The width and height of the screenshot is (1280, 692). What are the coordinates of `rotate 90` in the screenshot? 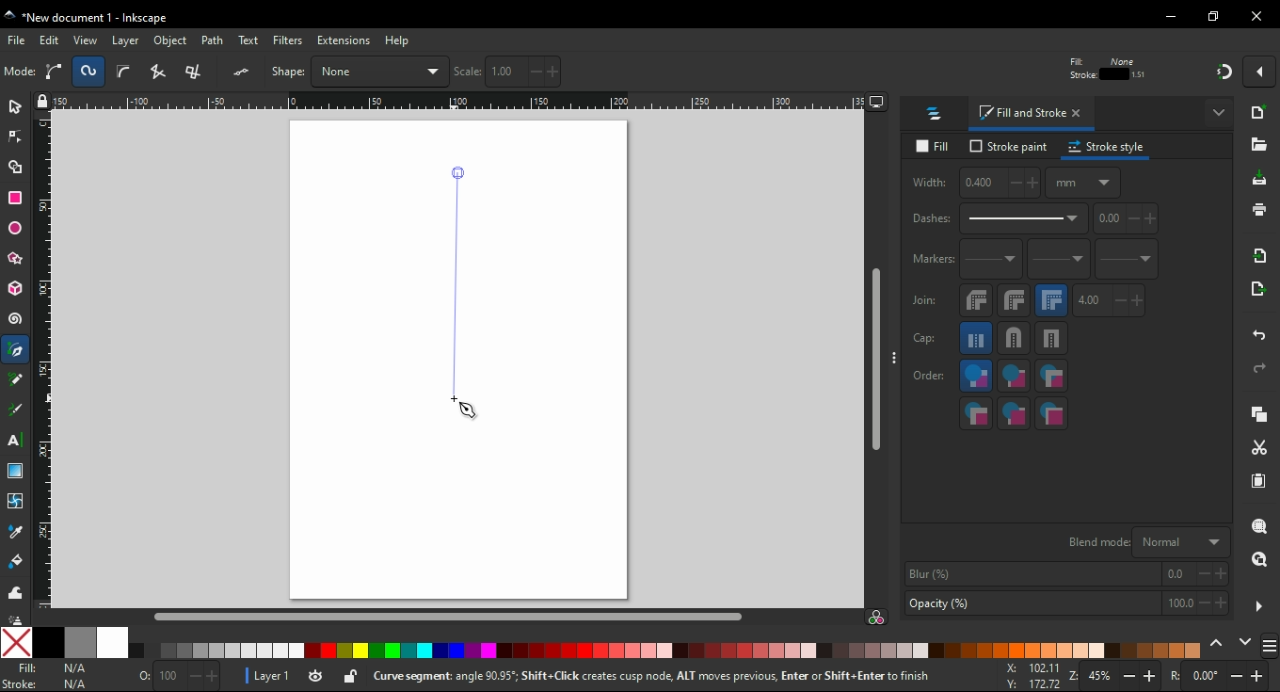 It's located at (208, 72).